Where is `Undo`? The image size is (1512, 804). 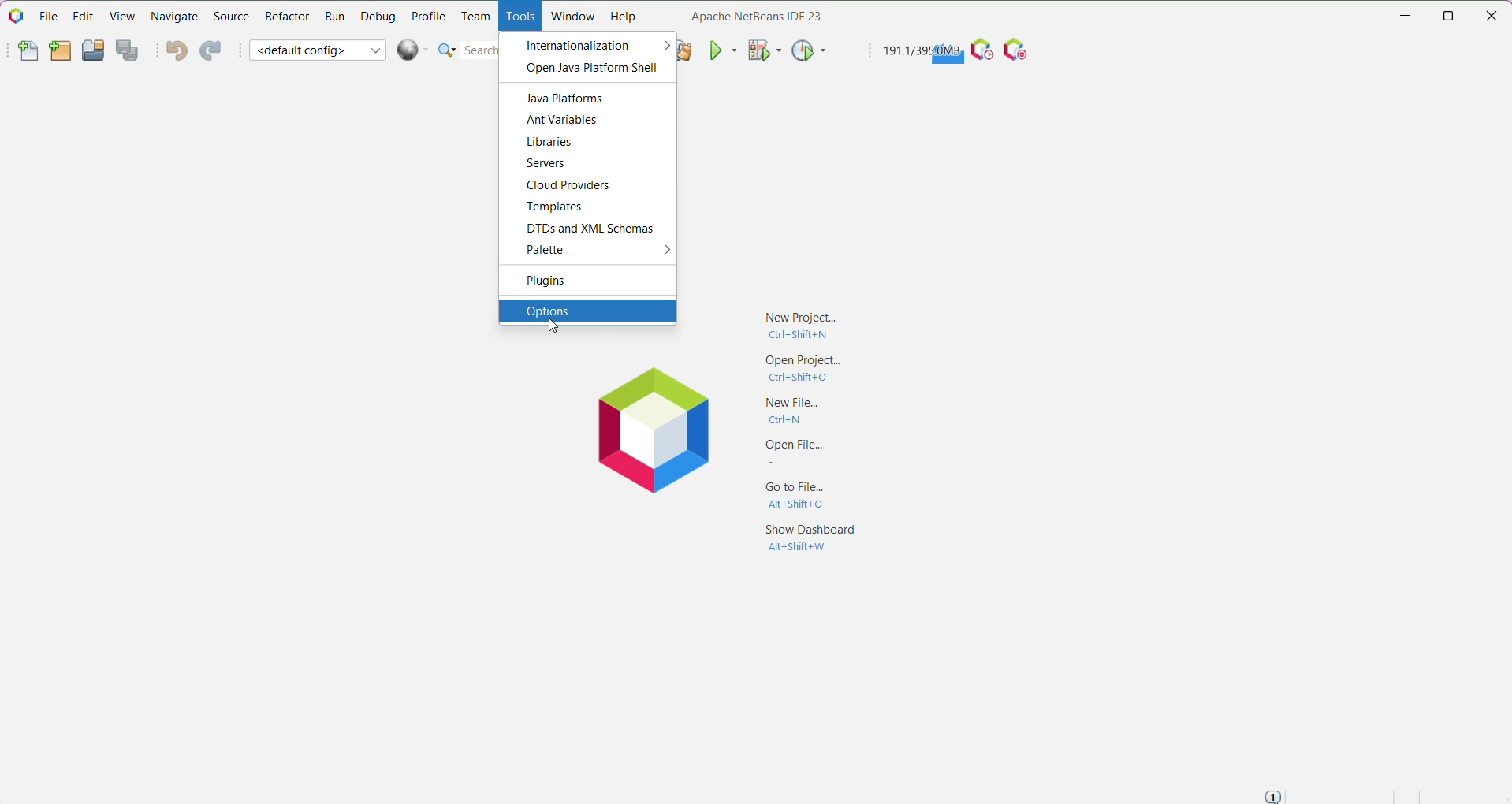 Undo is located at coordinates (174, 51).